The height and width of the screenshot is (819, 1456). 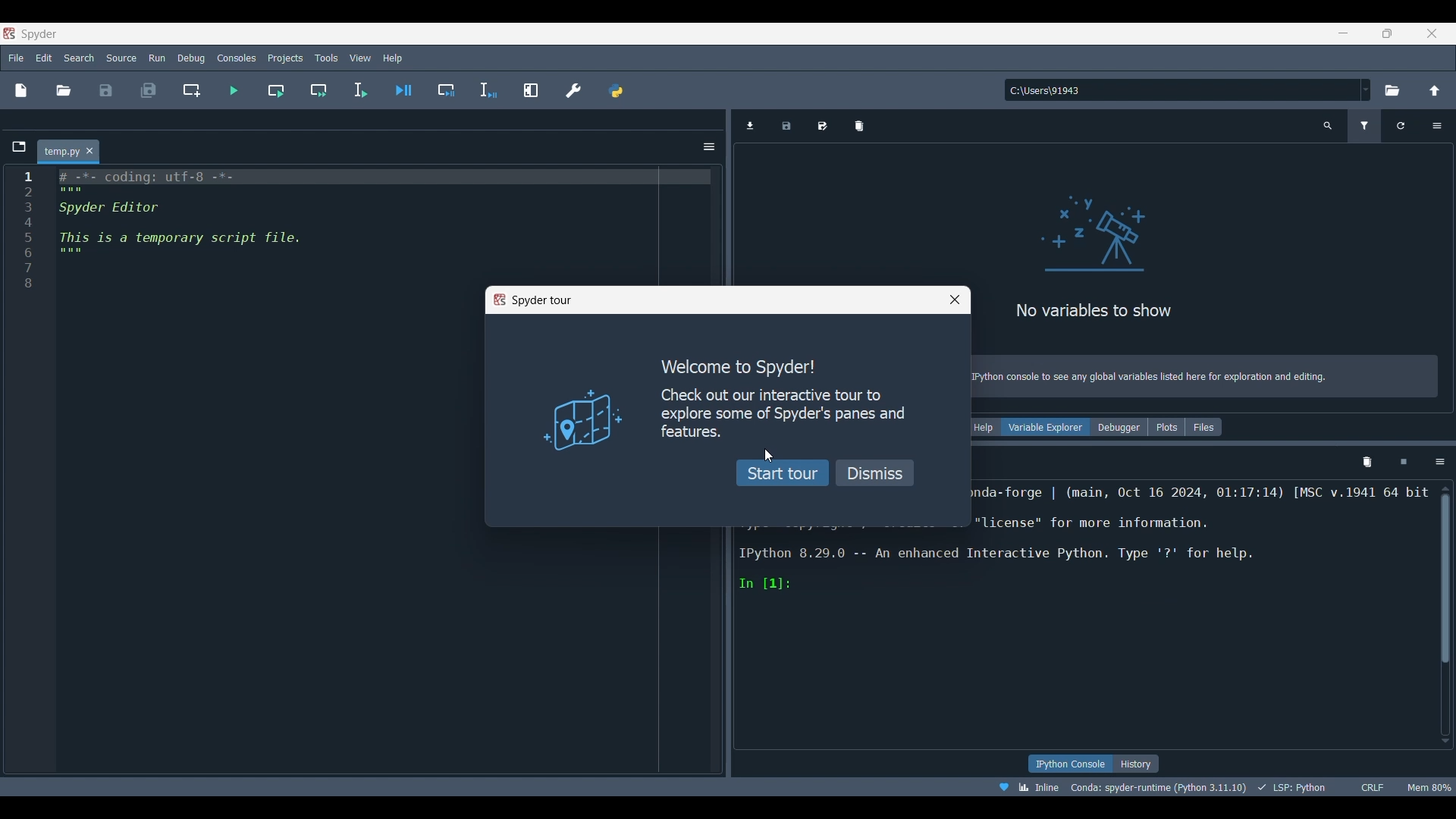 What do you see at coordinates (17, 58) in the screenshot?
I see `File menu` at bounding box center [17, 58].